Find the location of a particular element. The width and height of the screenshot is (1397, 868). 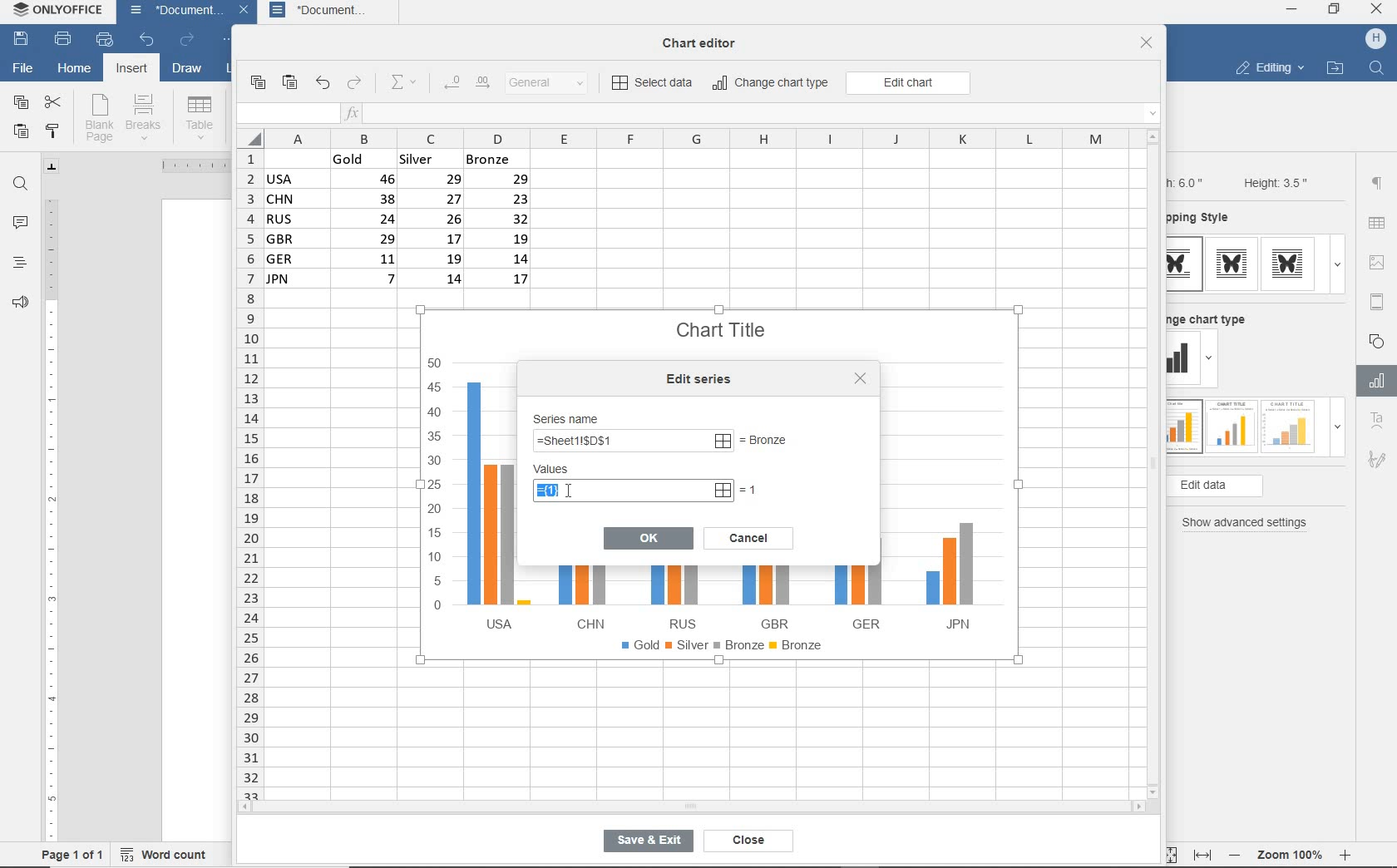

type 3 is located at coordinates (1292, 264).